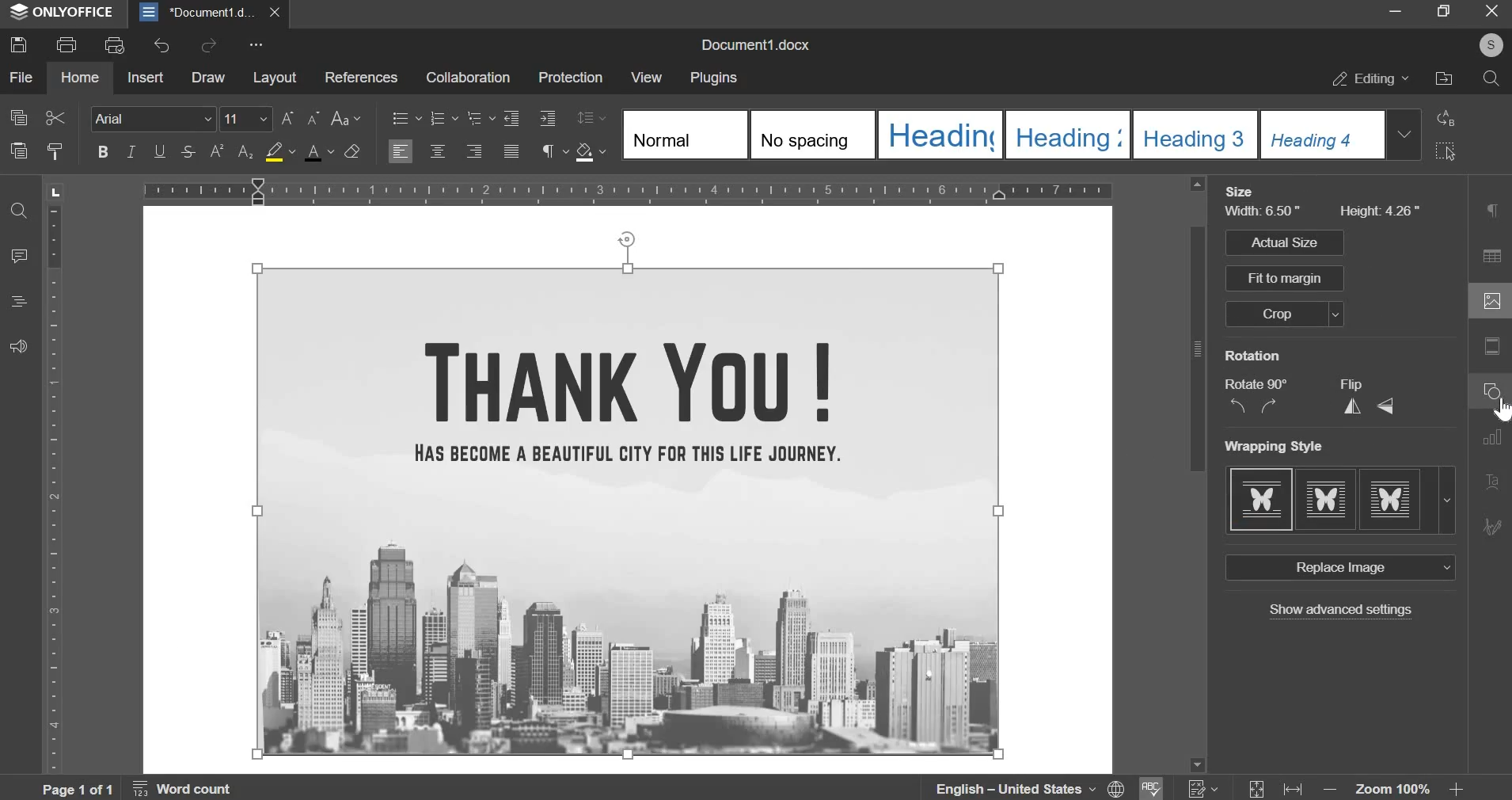  What do you see at coordinates (1366, 398) in the screenshot?
I see `Flip` at bounding box center [1366, 398].